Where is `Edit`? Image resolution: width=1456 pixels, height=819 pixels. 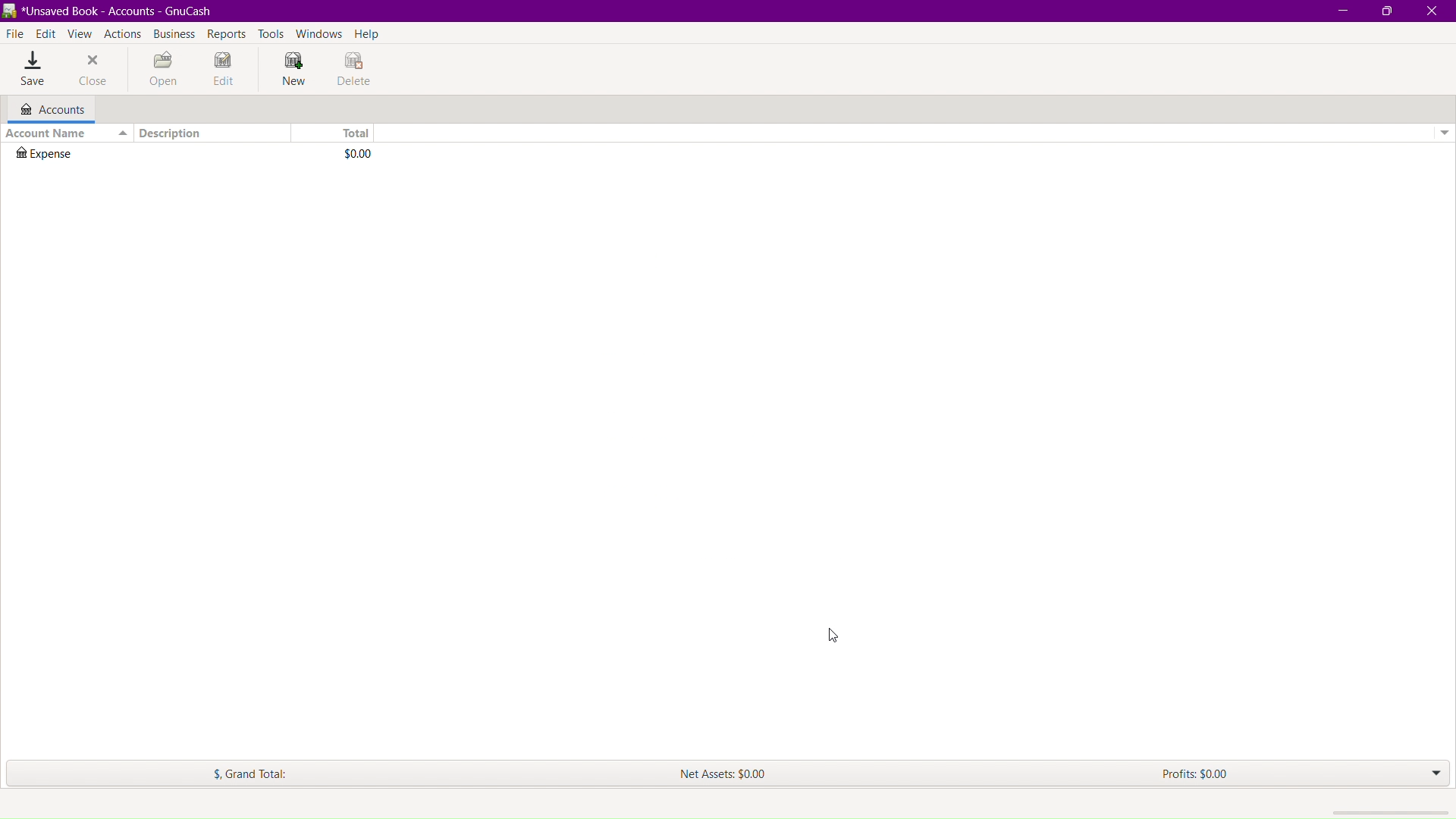
Edit is located at coordinates (48, 32).